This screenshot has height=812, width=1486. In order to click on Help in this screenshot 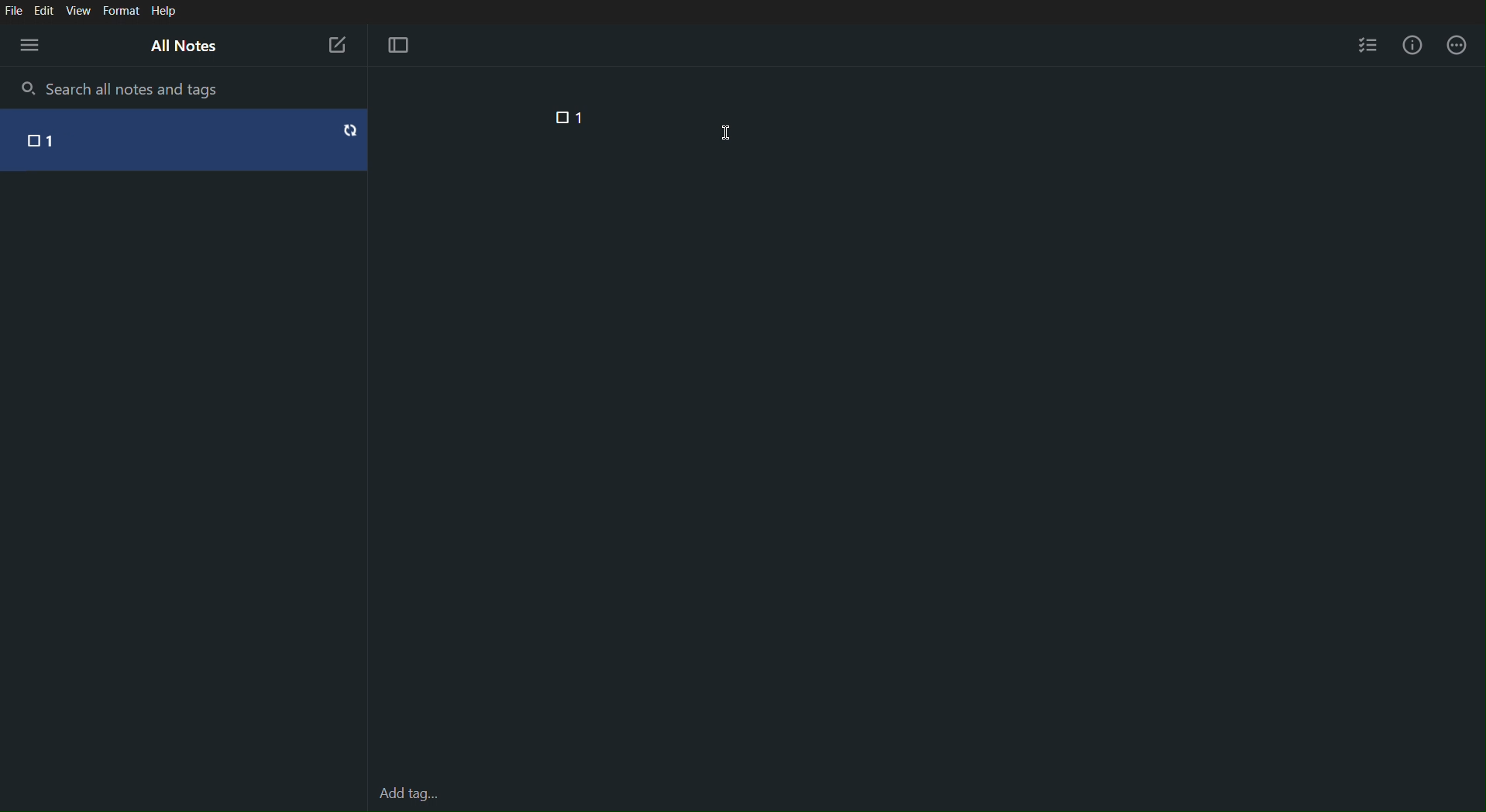, I will do `click(164, 12)`.